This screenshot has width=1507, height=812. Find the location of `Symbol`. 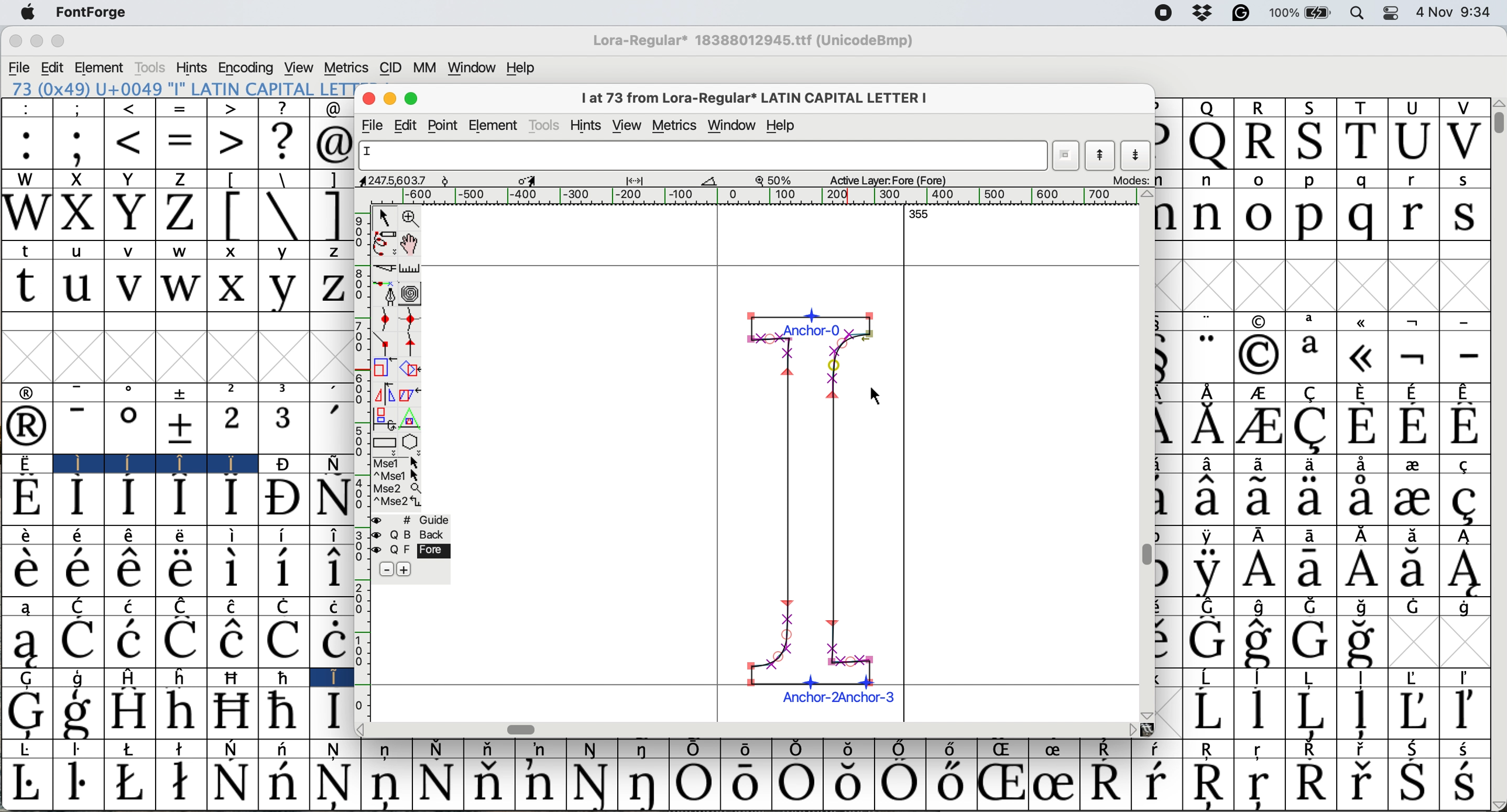

Symbol is located at coordinates (1415, 535).